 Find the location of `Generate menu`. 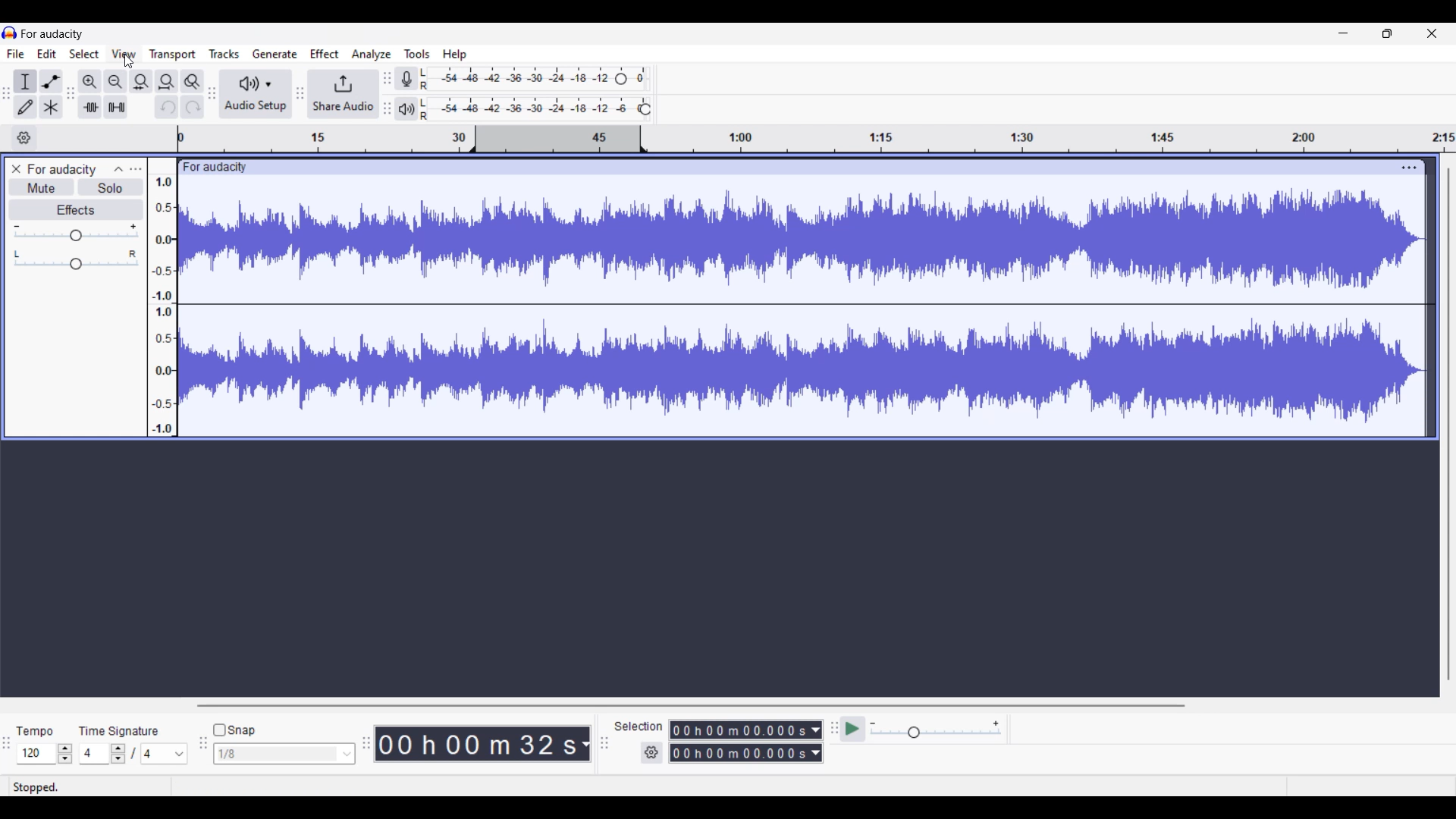

Generate menu is located at coordinates (275, 54).